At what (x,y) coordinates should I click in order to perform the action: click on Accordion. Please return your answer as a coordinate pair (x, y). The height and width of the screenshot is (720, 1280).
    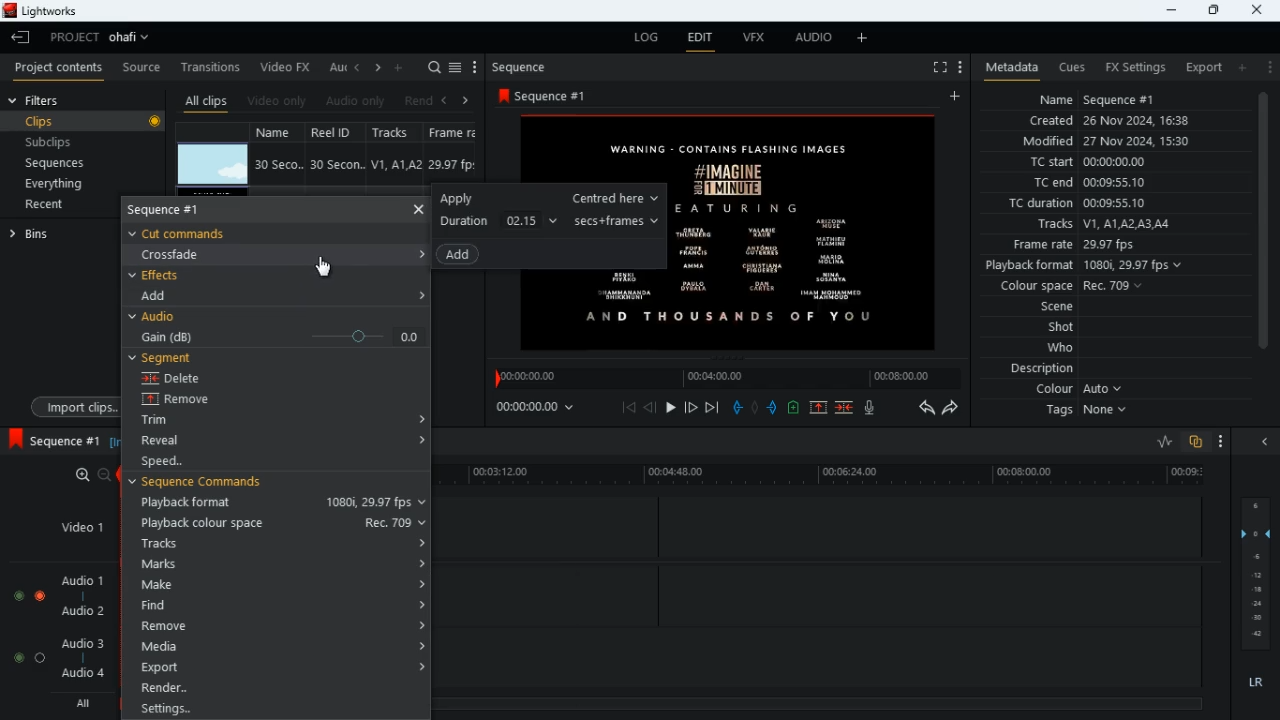
    Looking at the image, I should click on (419, 442).